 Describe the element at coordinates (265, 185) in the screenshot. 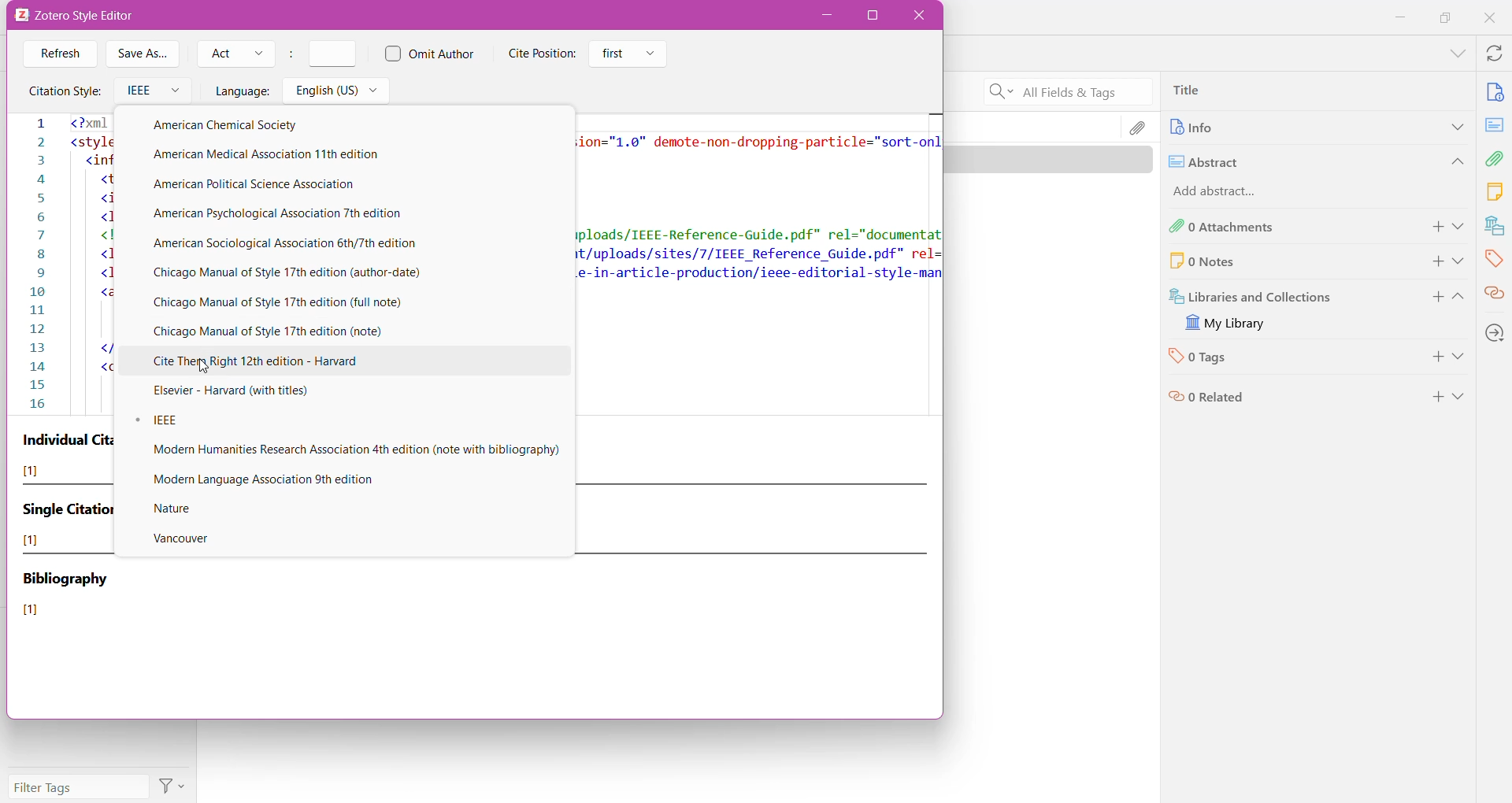

I see `American Political Science Association` at that location.